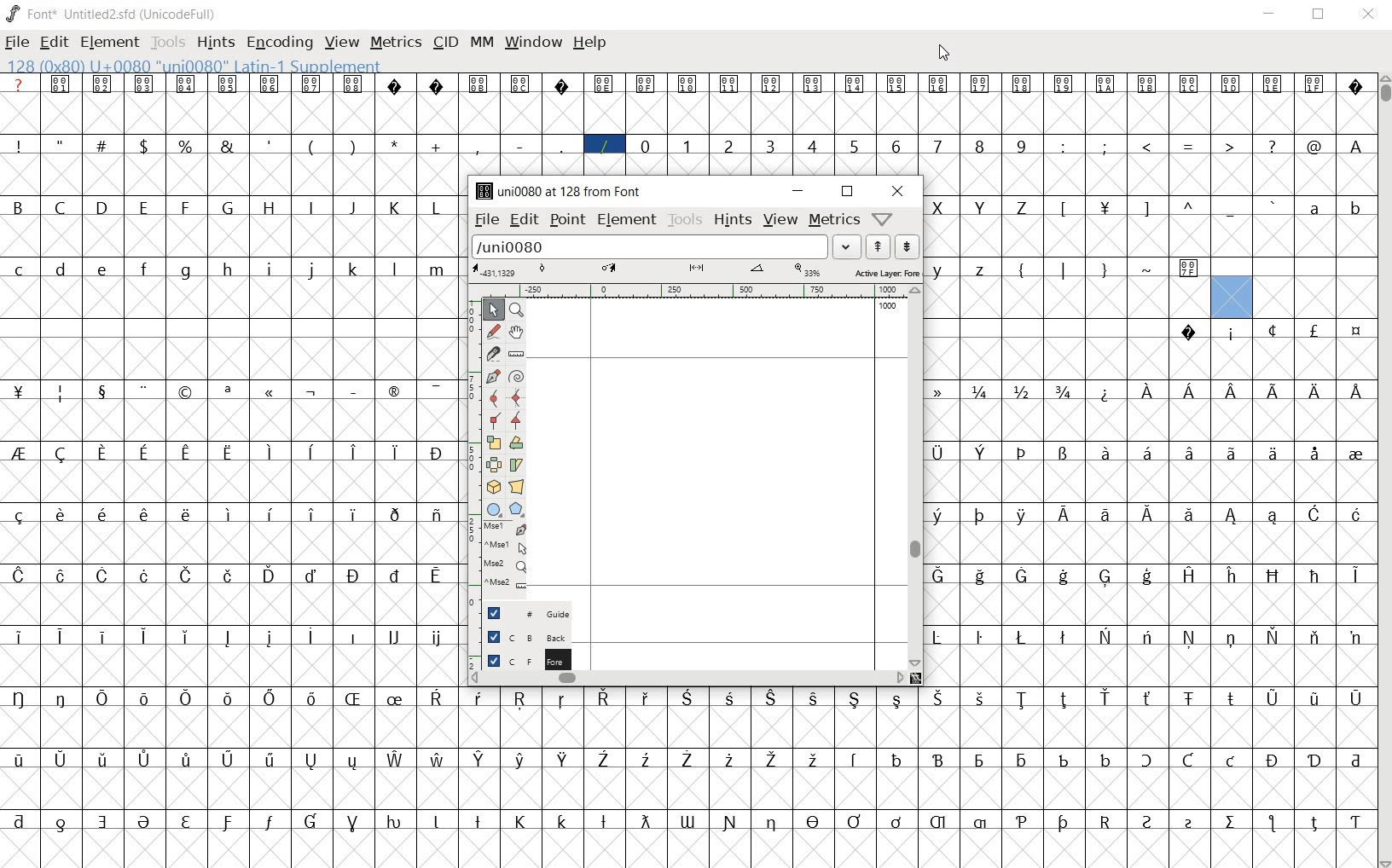 Image resolution: width=1392 pixels, height=868 pixels. What do you see at coordinates (105, 270) in the screenshot?
I see `glyph` at bounding box center [105, 270].